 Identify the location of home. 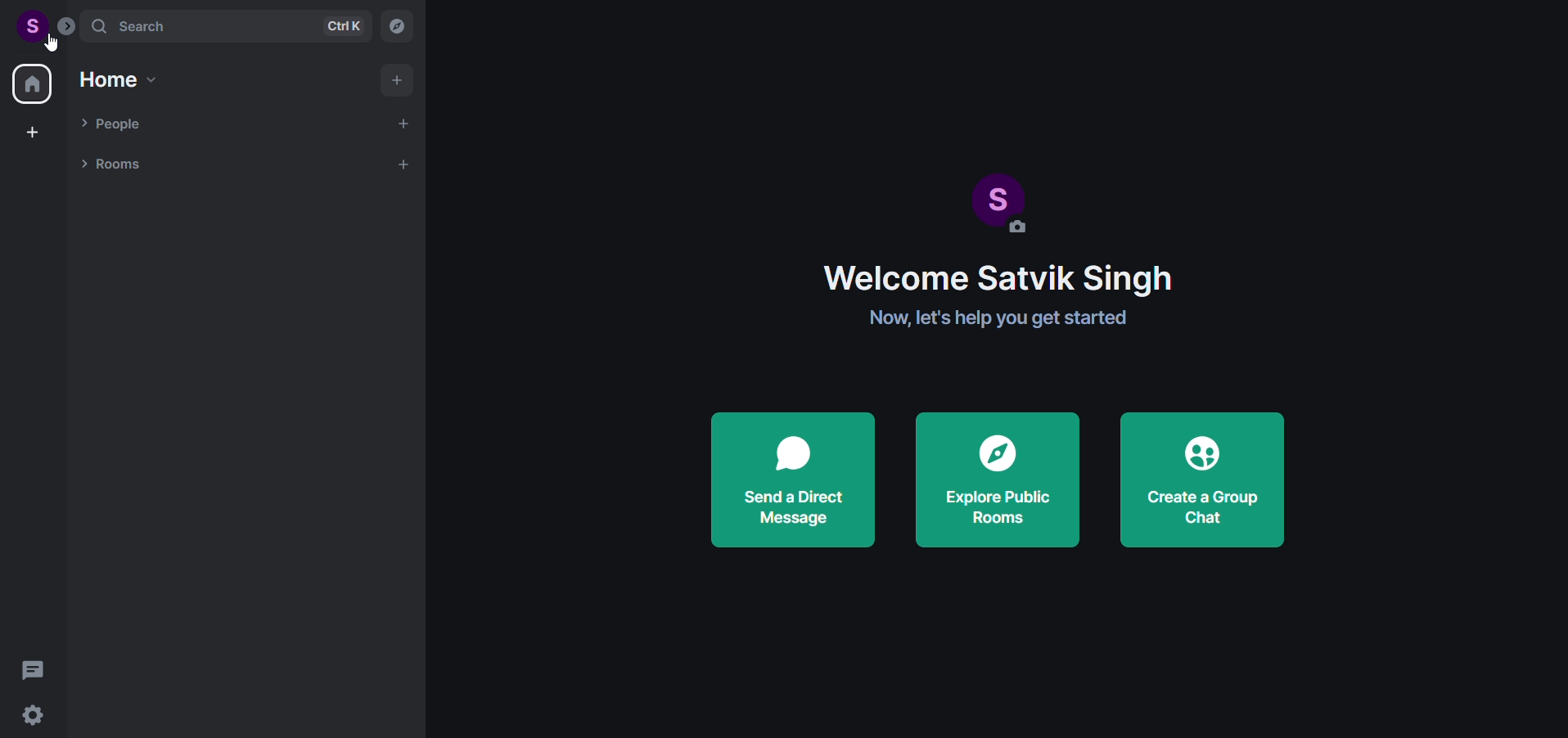
(119, 80).